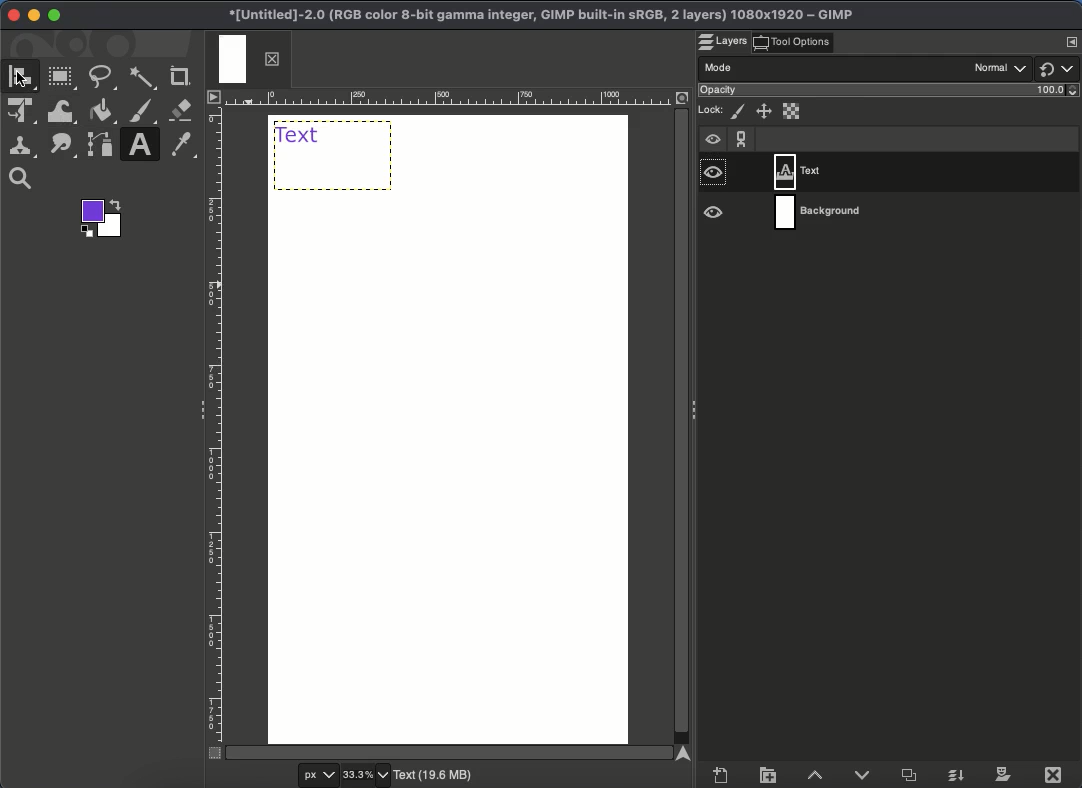 This screenshot has width=1082, height=788. Describe the element at coordinates (367, 775) in the screenshot. I see `33.3%` at that location.